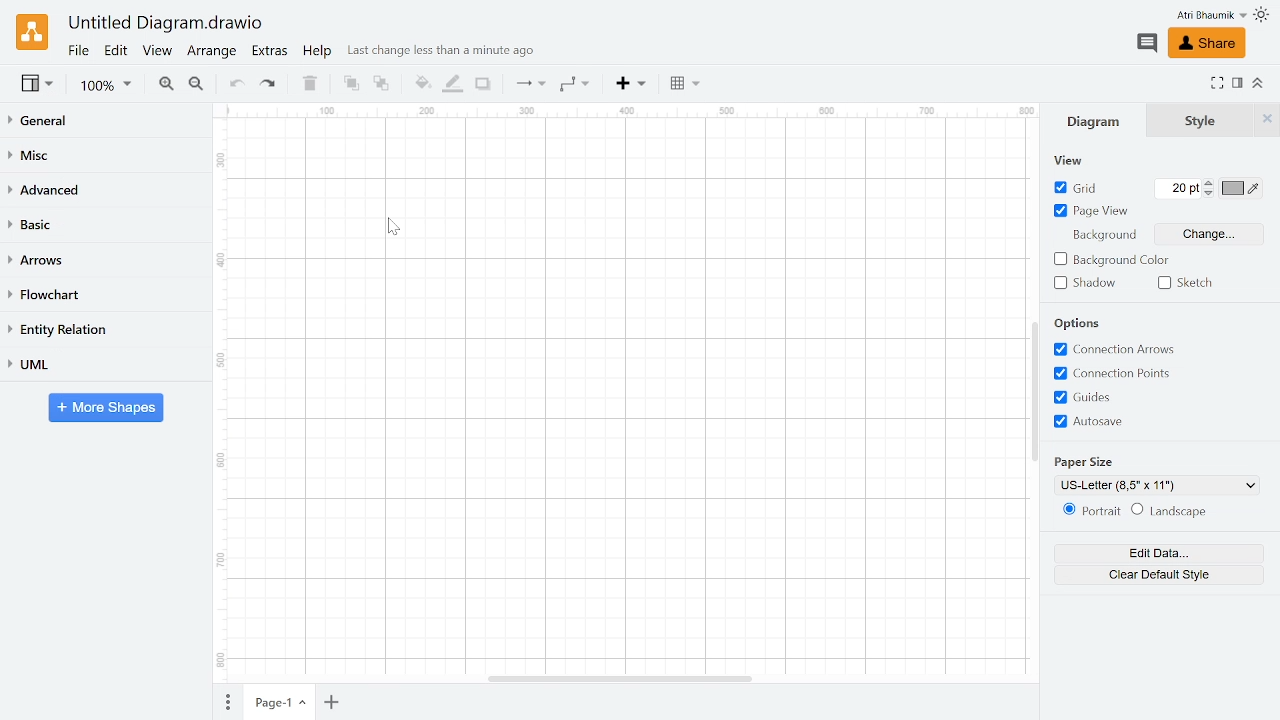 The image size is (1280, 720). What do you see at coordinates (1124, 421) in the screenshot?
I see `Autosave` at bounding box center [1124, 421].